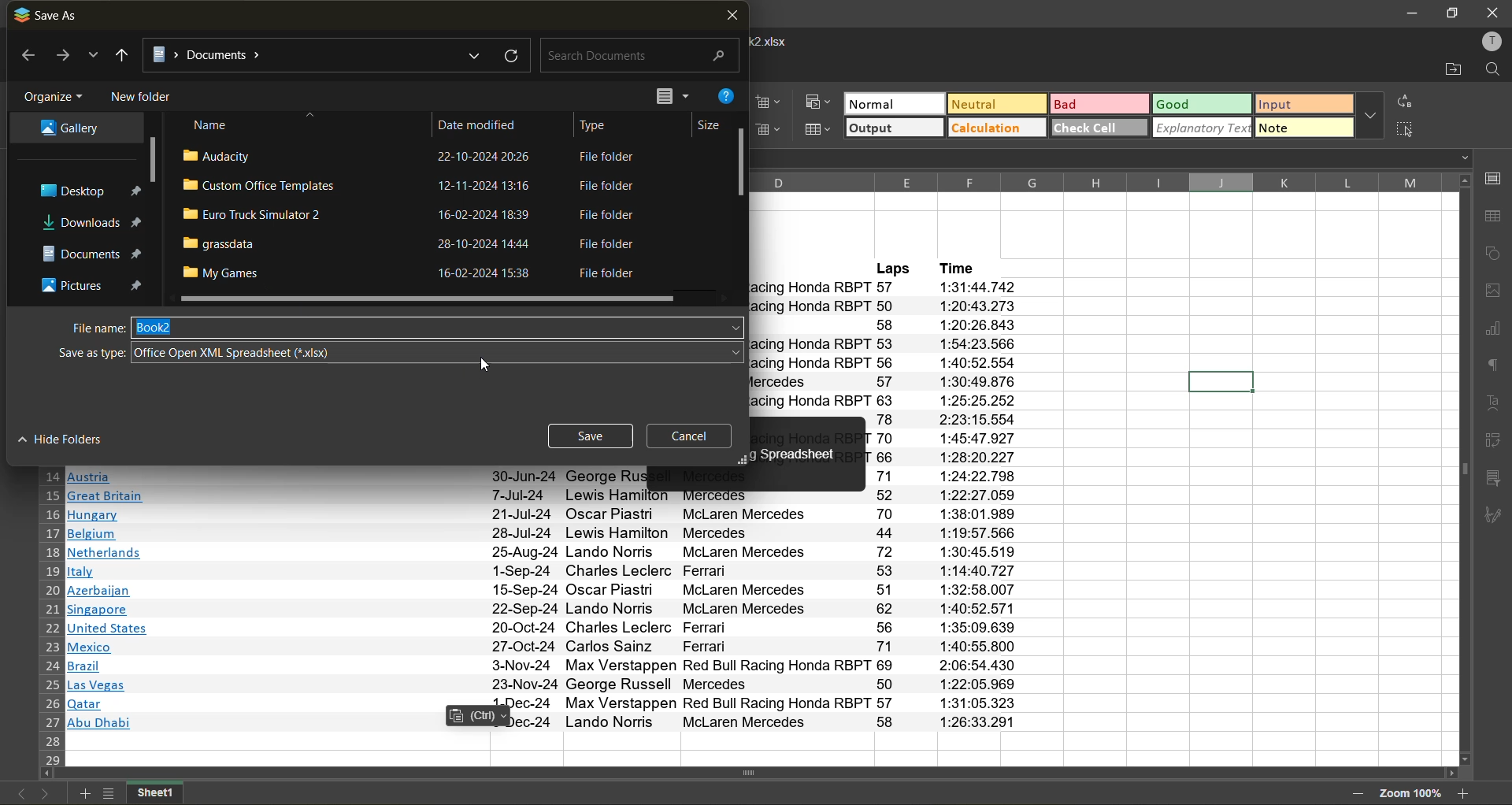 This screenshot has width=1512, height=805. I want to click on close, so click(732, 17).